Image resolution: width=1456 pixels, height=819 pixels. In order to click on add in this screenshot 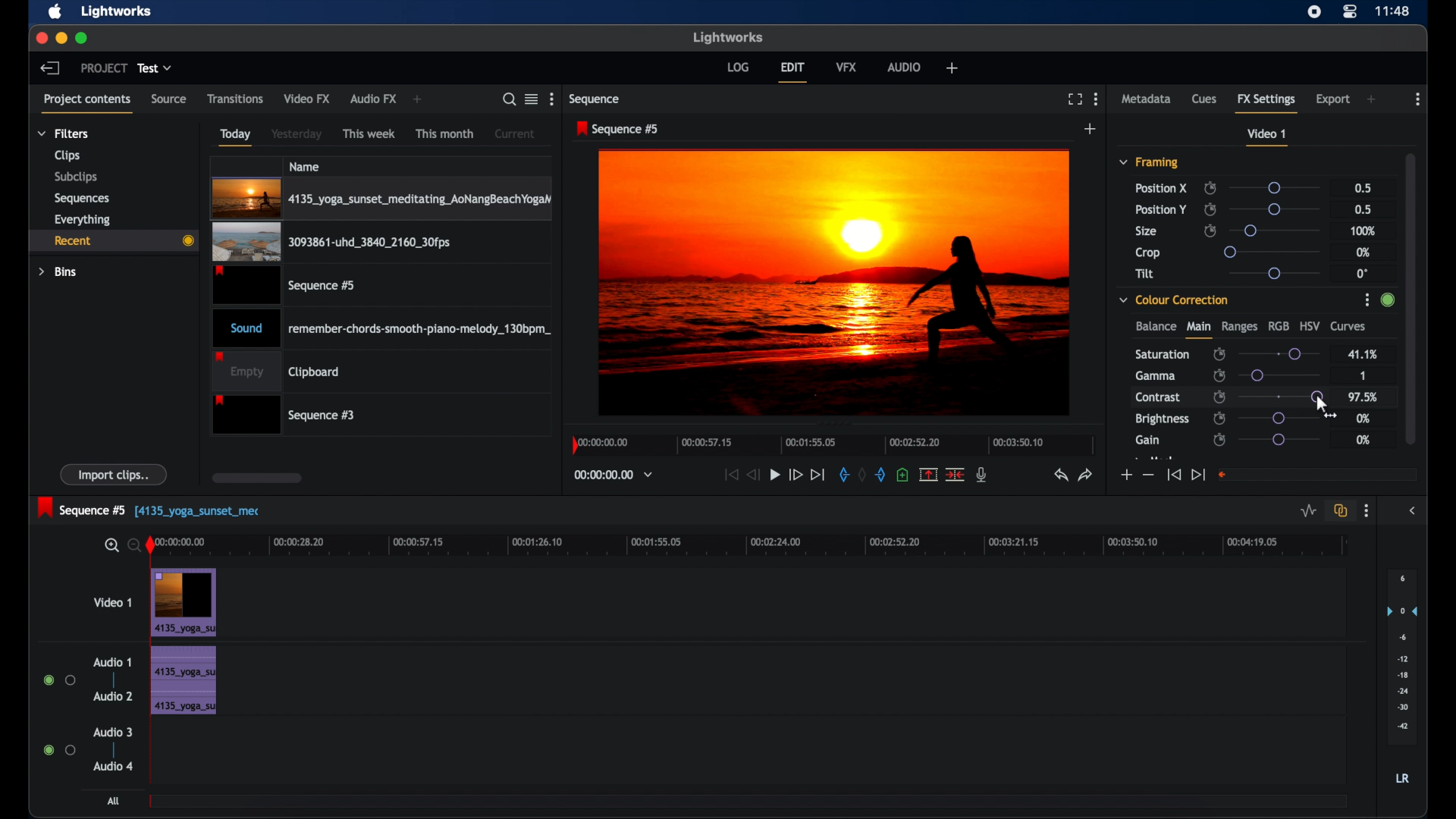, I will do `click(1090, 129)`.